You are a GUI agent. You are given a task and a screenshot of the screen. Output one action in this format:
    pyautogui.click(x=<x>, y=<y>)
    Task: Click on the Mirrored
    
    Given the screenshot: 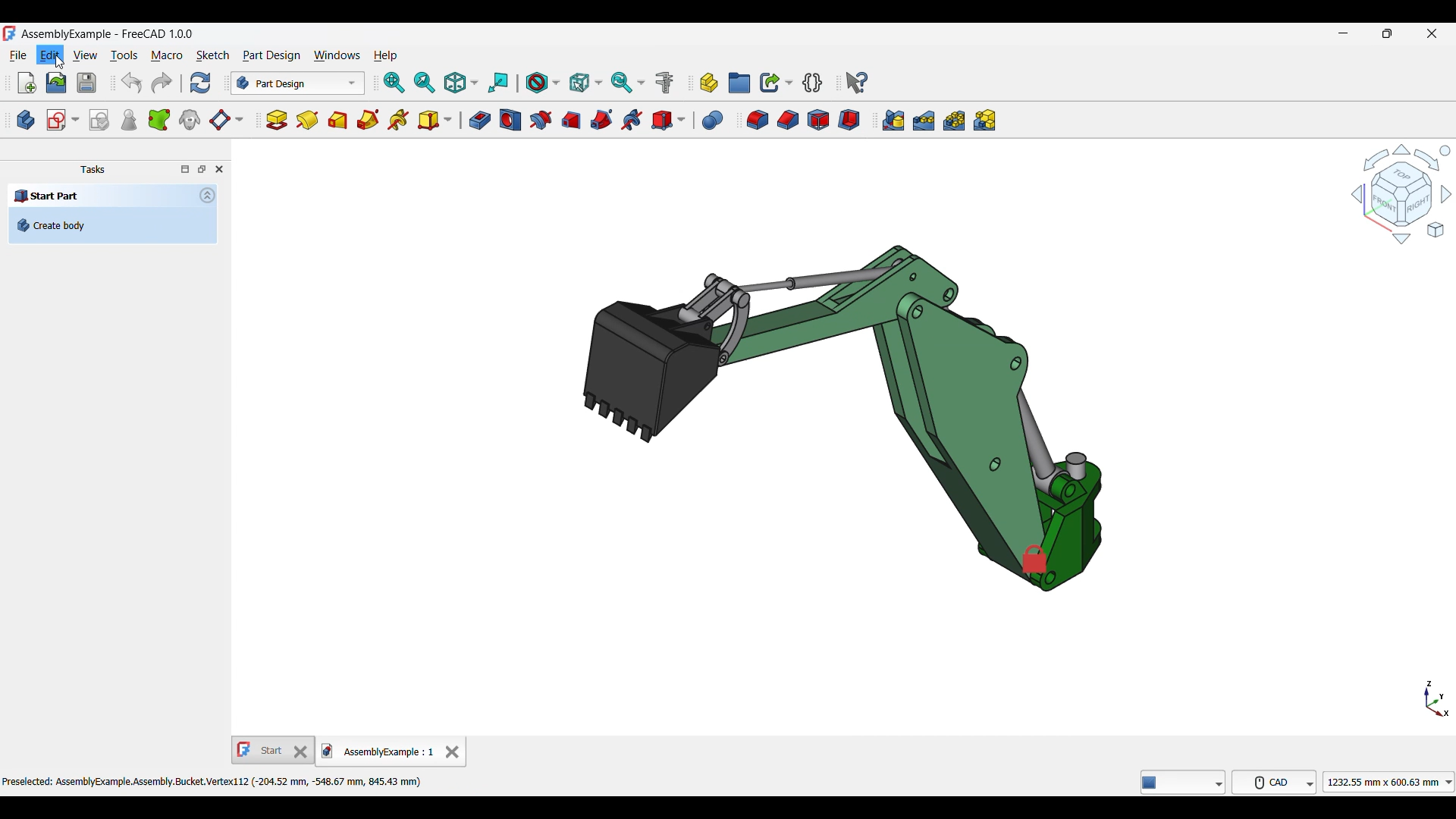 What is the action you would take?
    pyautogui.click(x=893, y=120)
    